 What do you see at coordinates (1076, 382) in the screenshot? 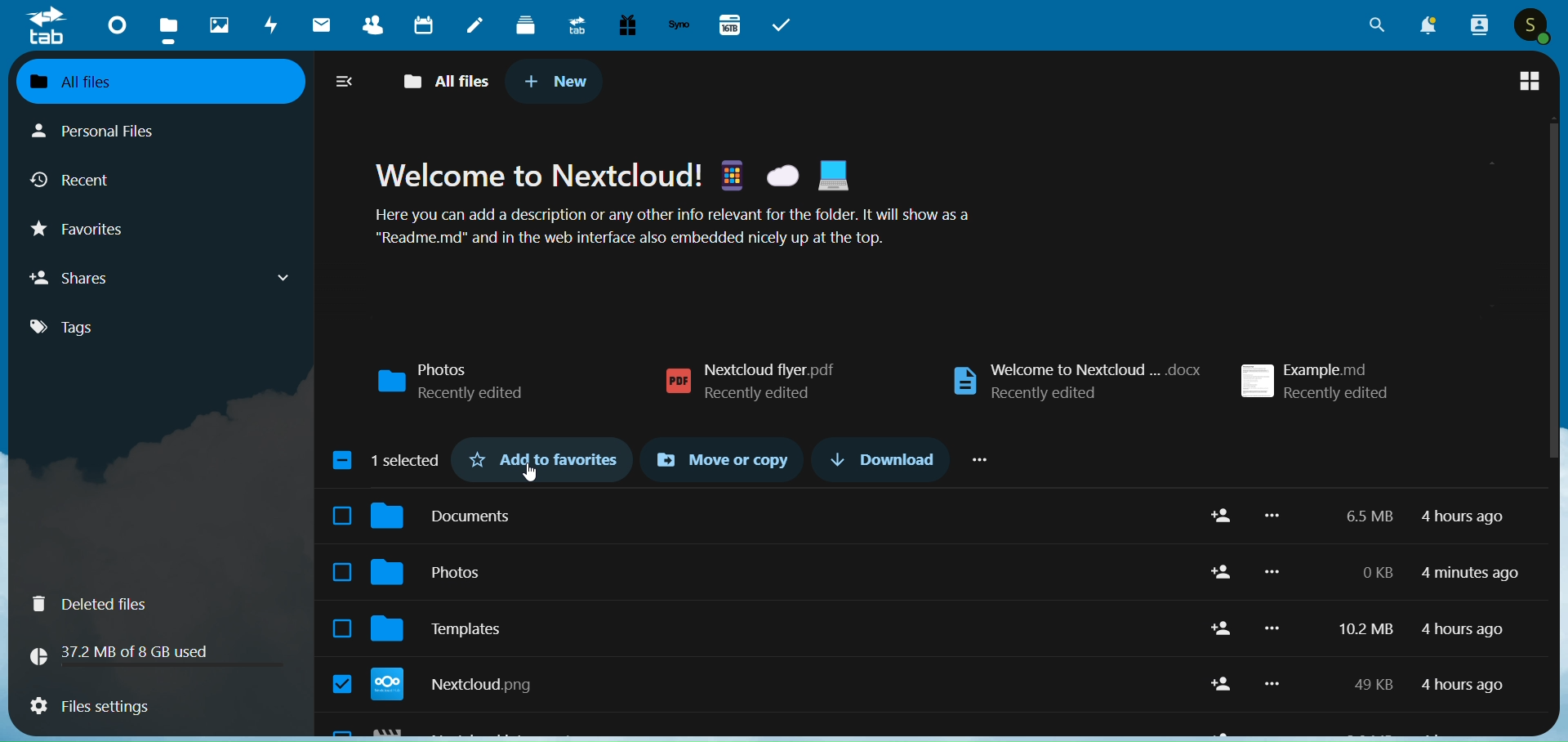
I see `Welcome to Nextcloud ... docx Recently edited` at bounding box center [1076, 382].